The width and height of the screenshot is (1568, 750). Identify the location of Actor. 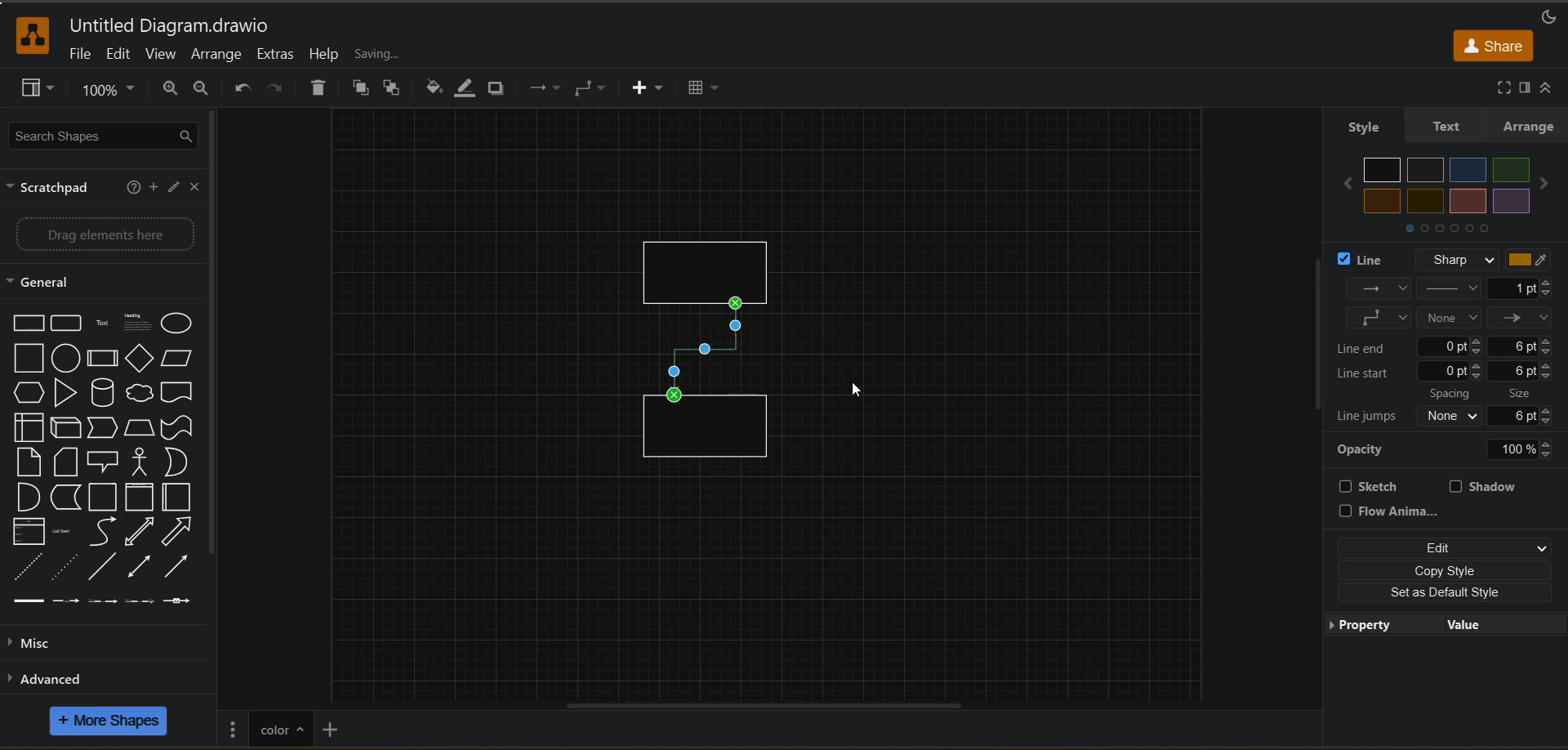
(144, 462).